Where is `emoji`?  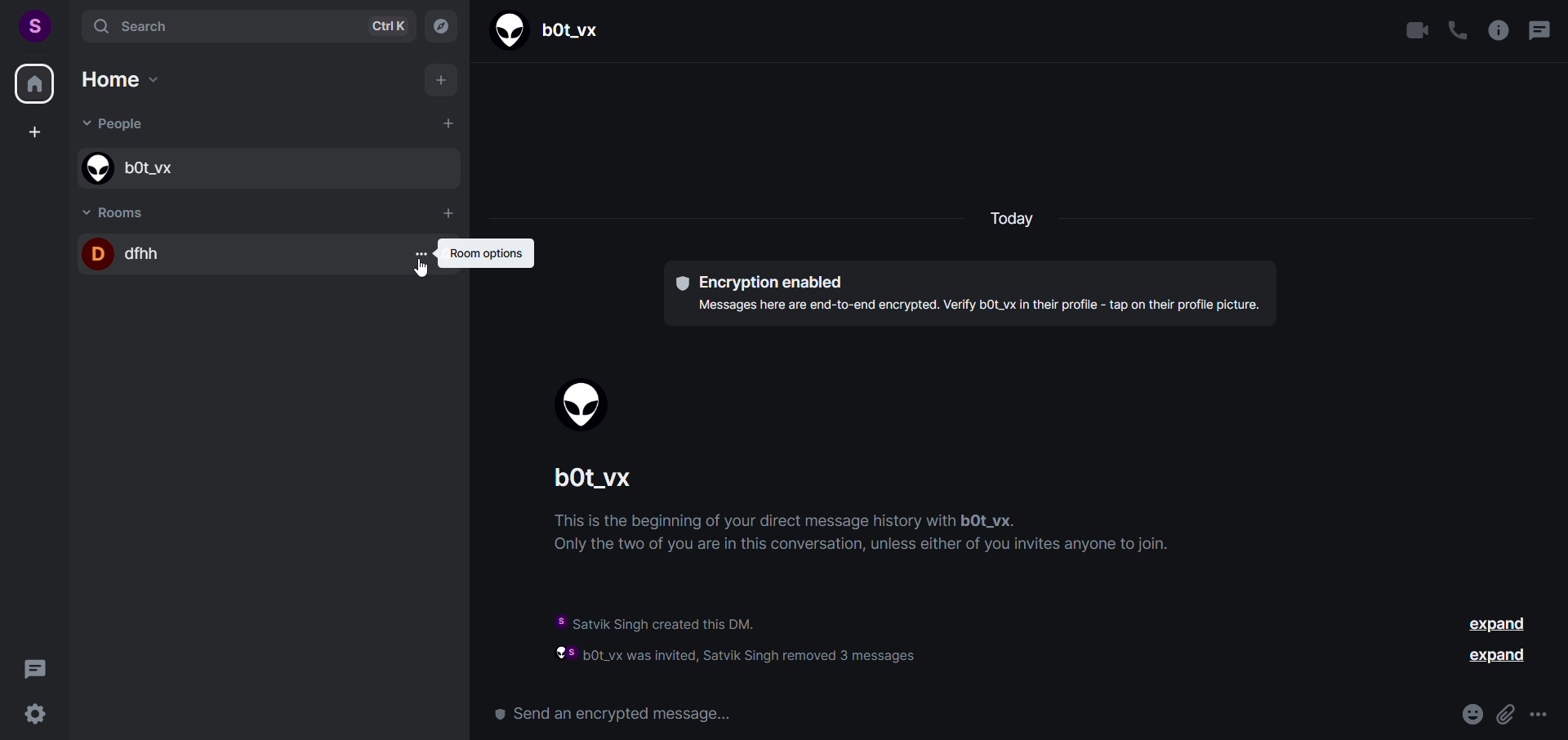 emoji is located at coordinates (1467, 714).